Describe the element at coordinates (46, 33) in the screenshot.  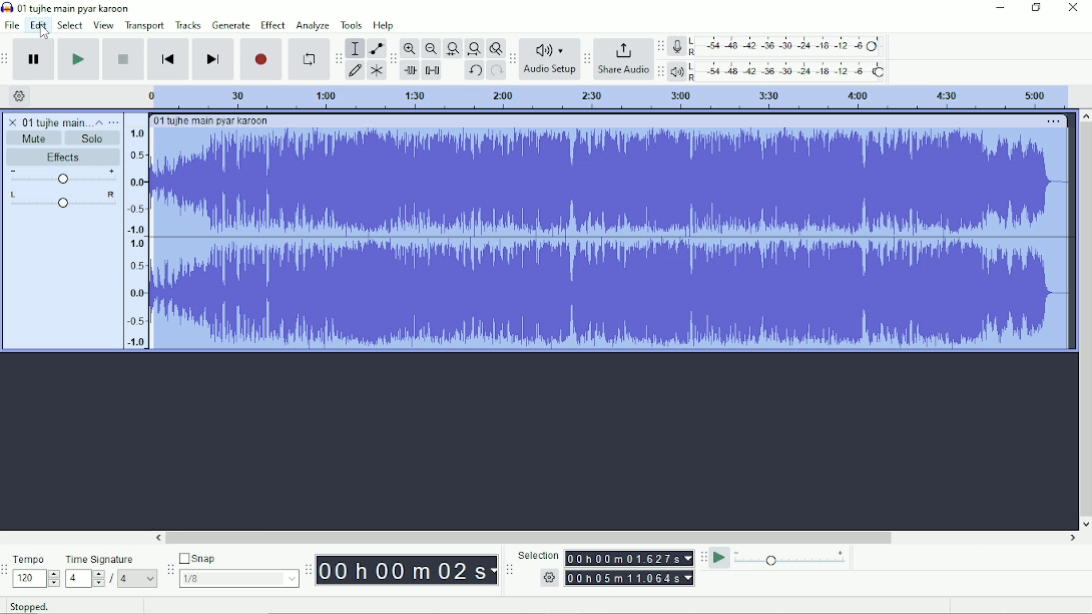
I see `Cursir` at that location.